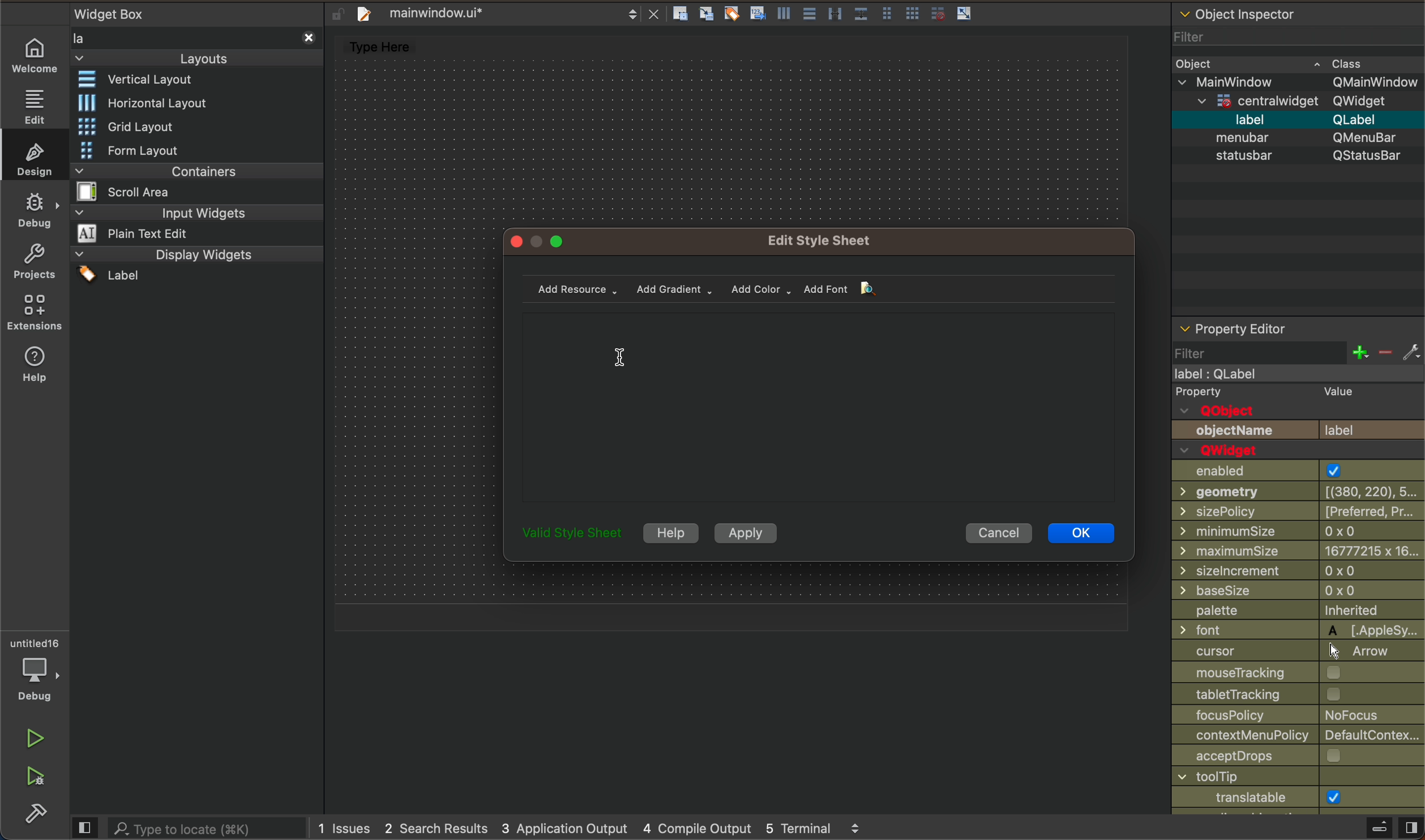 The image size is (1425, 840). What do you see at coordinates (1288, 715) in the screenshot?
I see `focus` at bounding box center [1288, 715].